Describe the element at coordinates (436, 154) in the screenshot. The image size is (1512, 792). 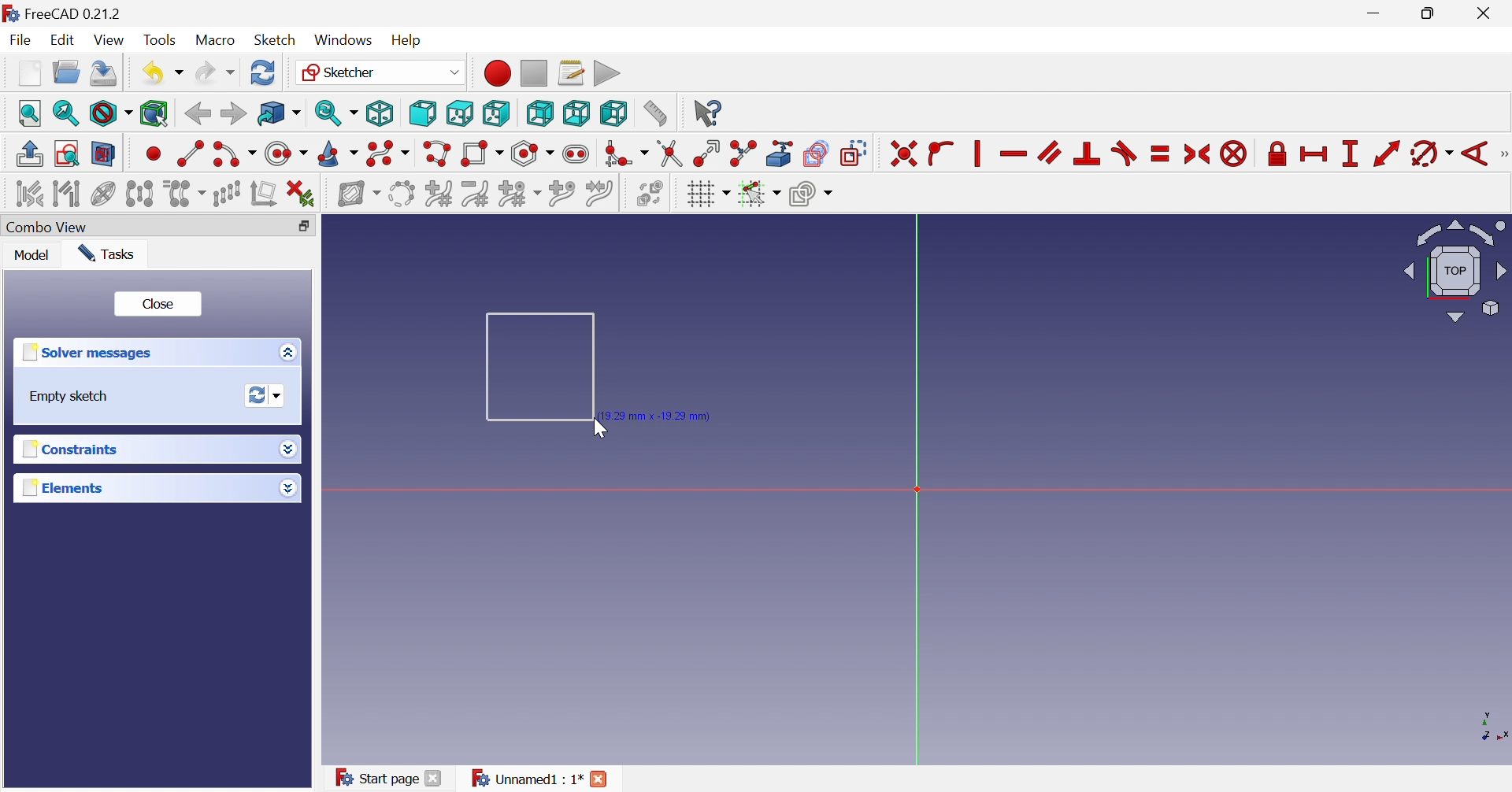
I see `Create polyline` at that location.